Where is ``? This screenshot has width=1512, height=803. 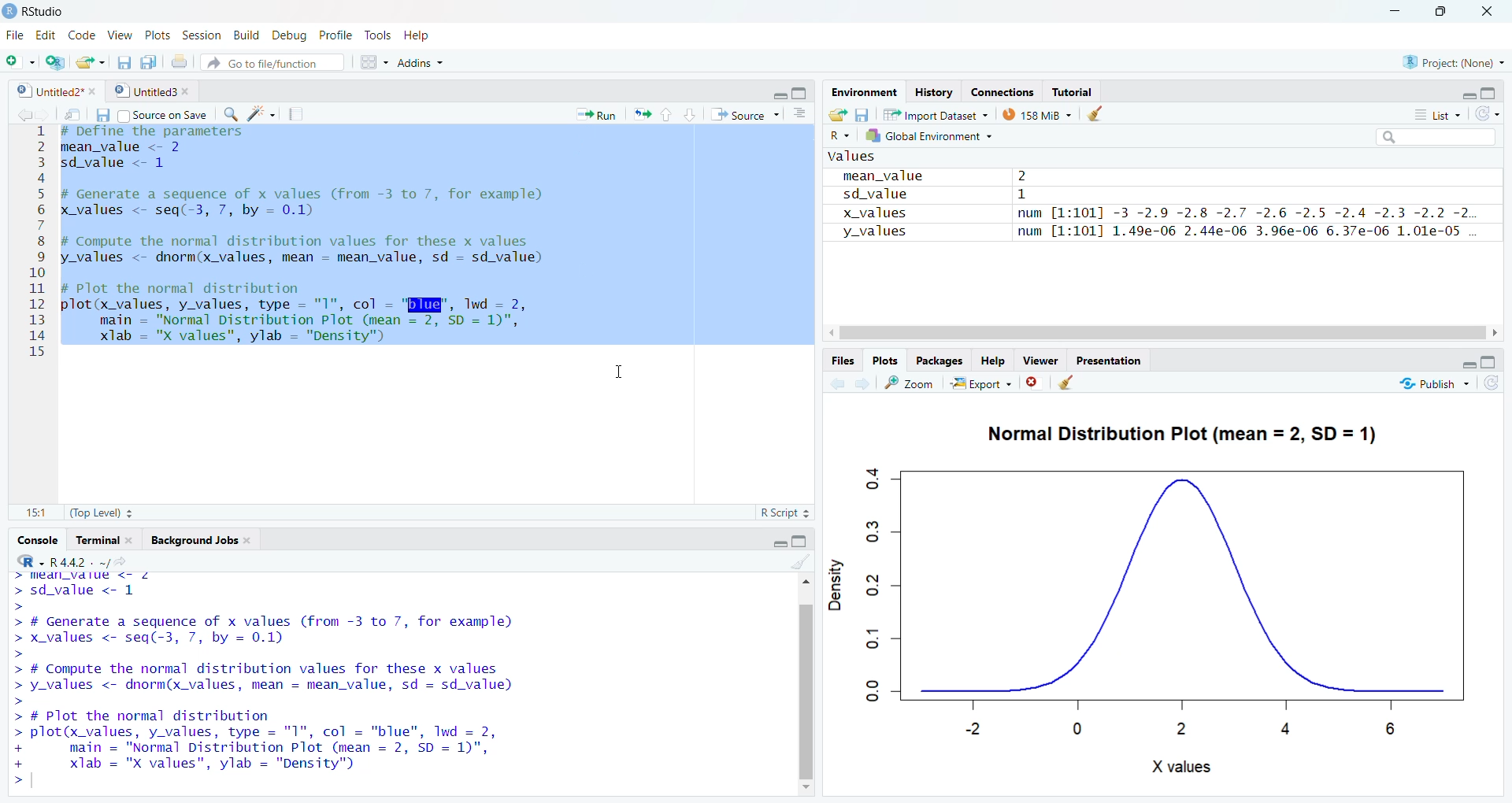
 is located at coordinates (1477, 358).